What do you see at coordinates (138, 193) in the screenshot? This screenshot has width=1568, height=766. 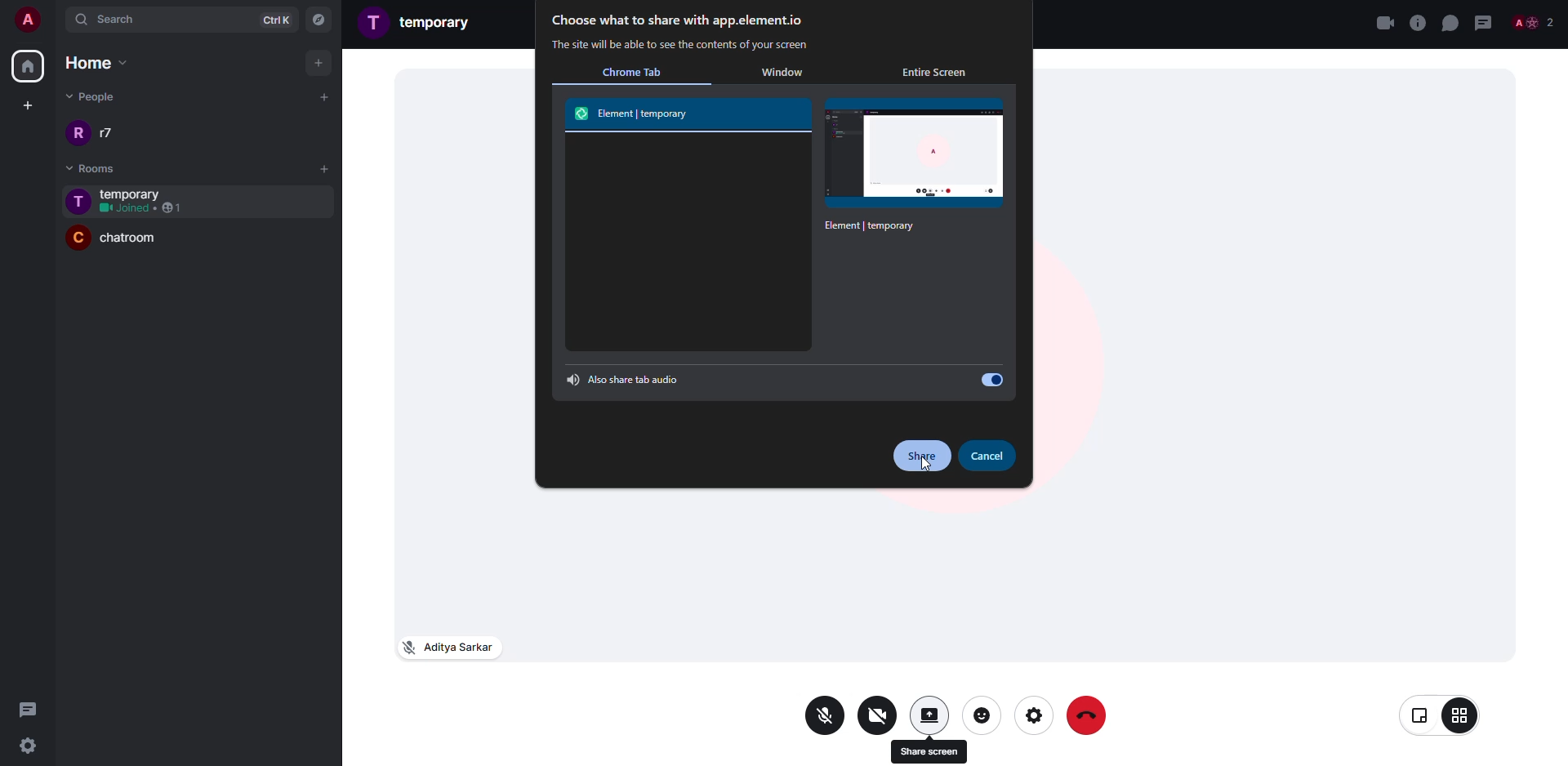 I see `room` at bounding box center [138, 193].